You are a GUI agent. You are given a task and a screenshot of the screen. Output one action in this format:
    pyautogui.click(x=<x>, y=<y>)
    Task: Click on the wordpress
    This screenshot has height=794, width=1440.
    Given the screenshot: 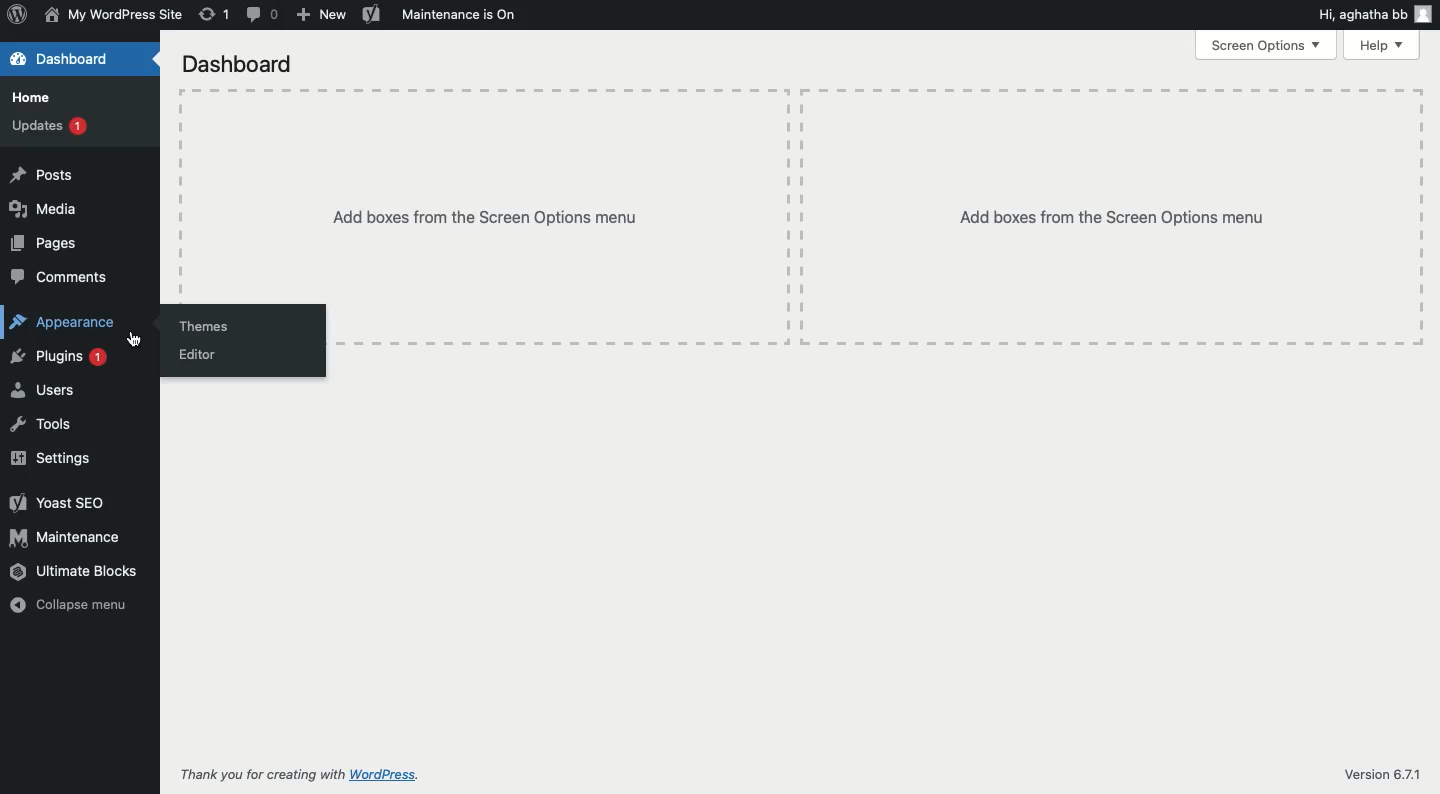 What is the action you would take?
    pyautogui.click(x=388, y=774)
    